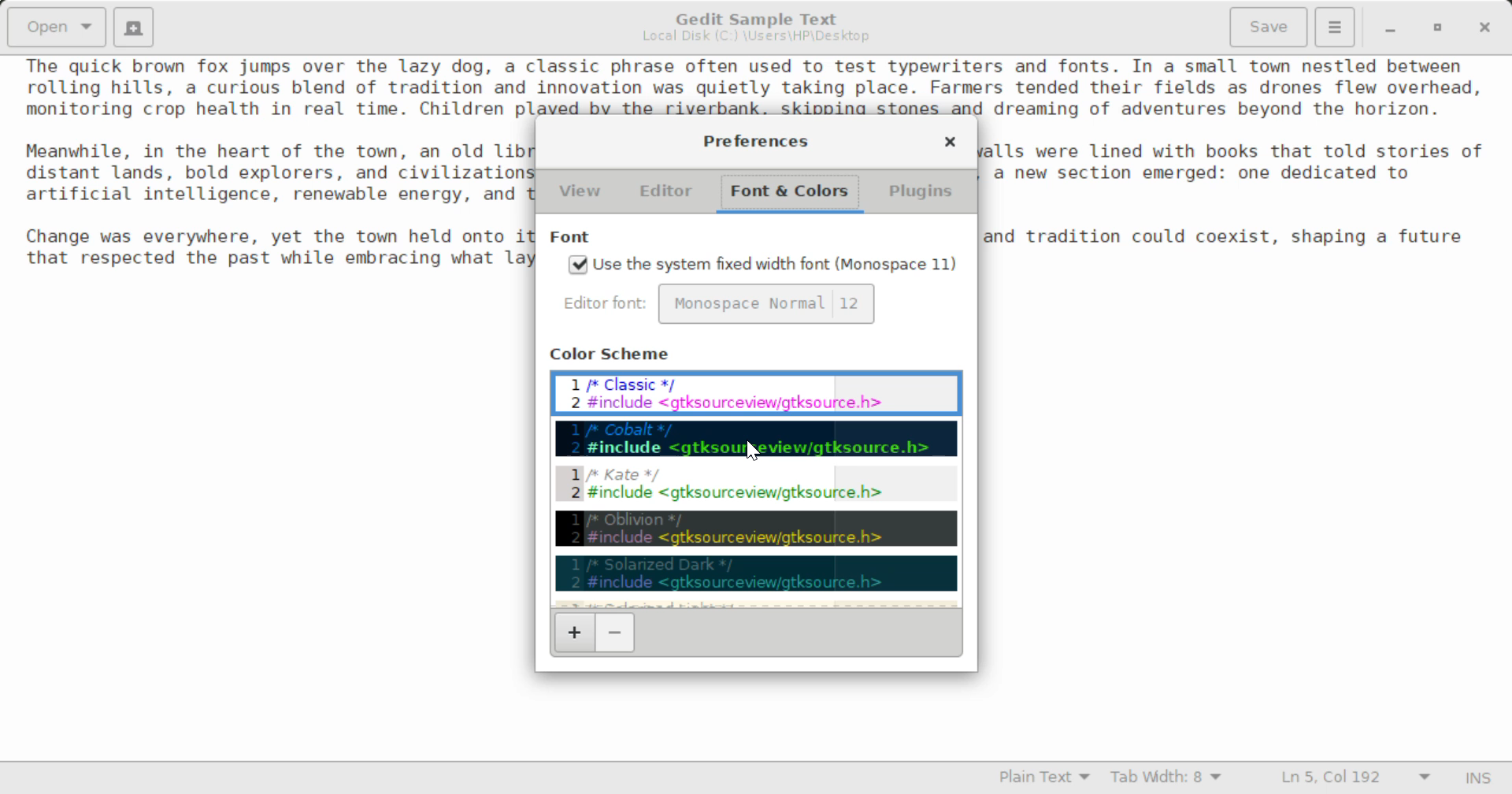  What do you see at coordinates (573, 238) in the screenshot?
I see `Font Options Heading` at bounding box center [573, 238].